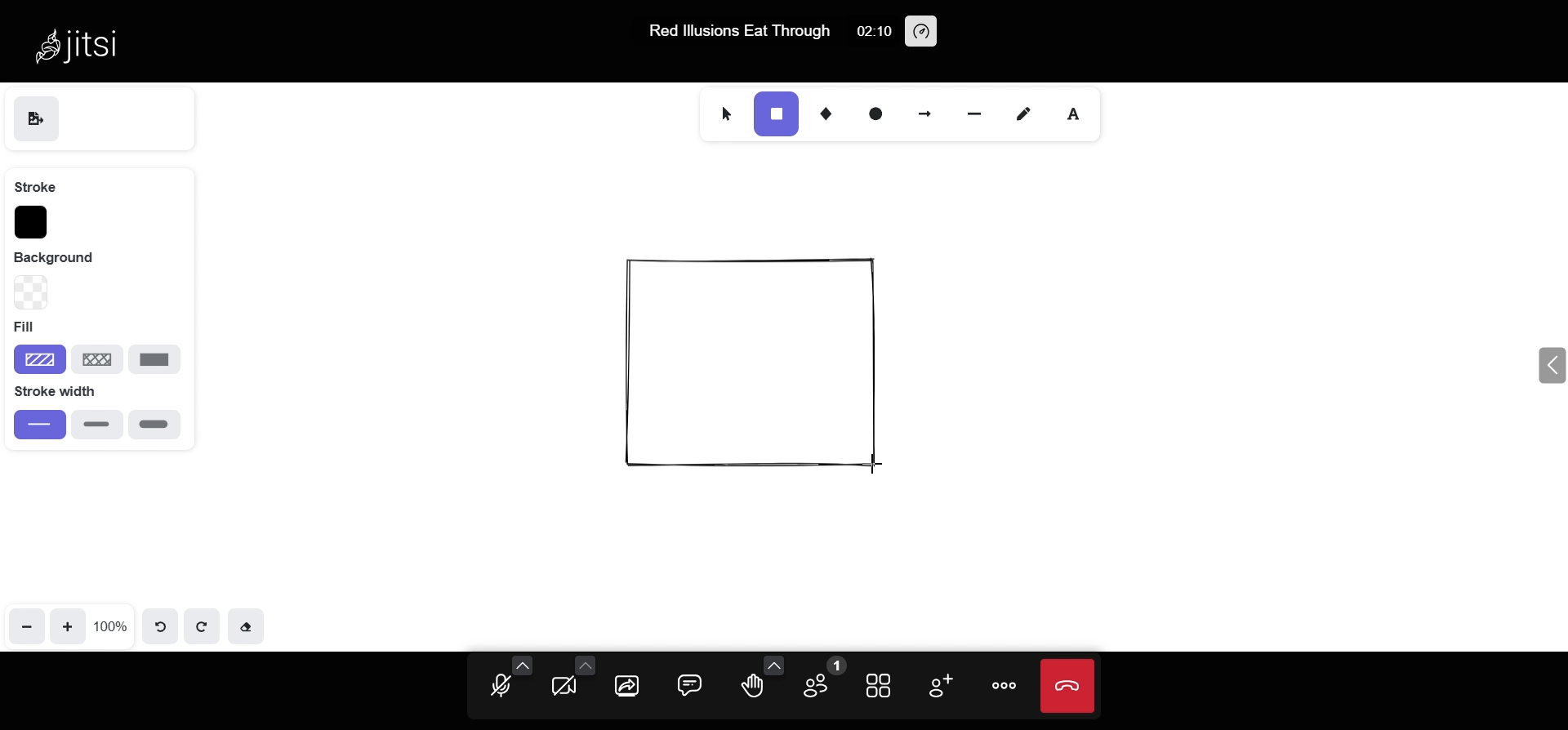 This screenshot has height=730, width=1568. Describe the element at coordinates (29, 292) in the screenshot. I see `background type` at that location.